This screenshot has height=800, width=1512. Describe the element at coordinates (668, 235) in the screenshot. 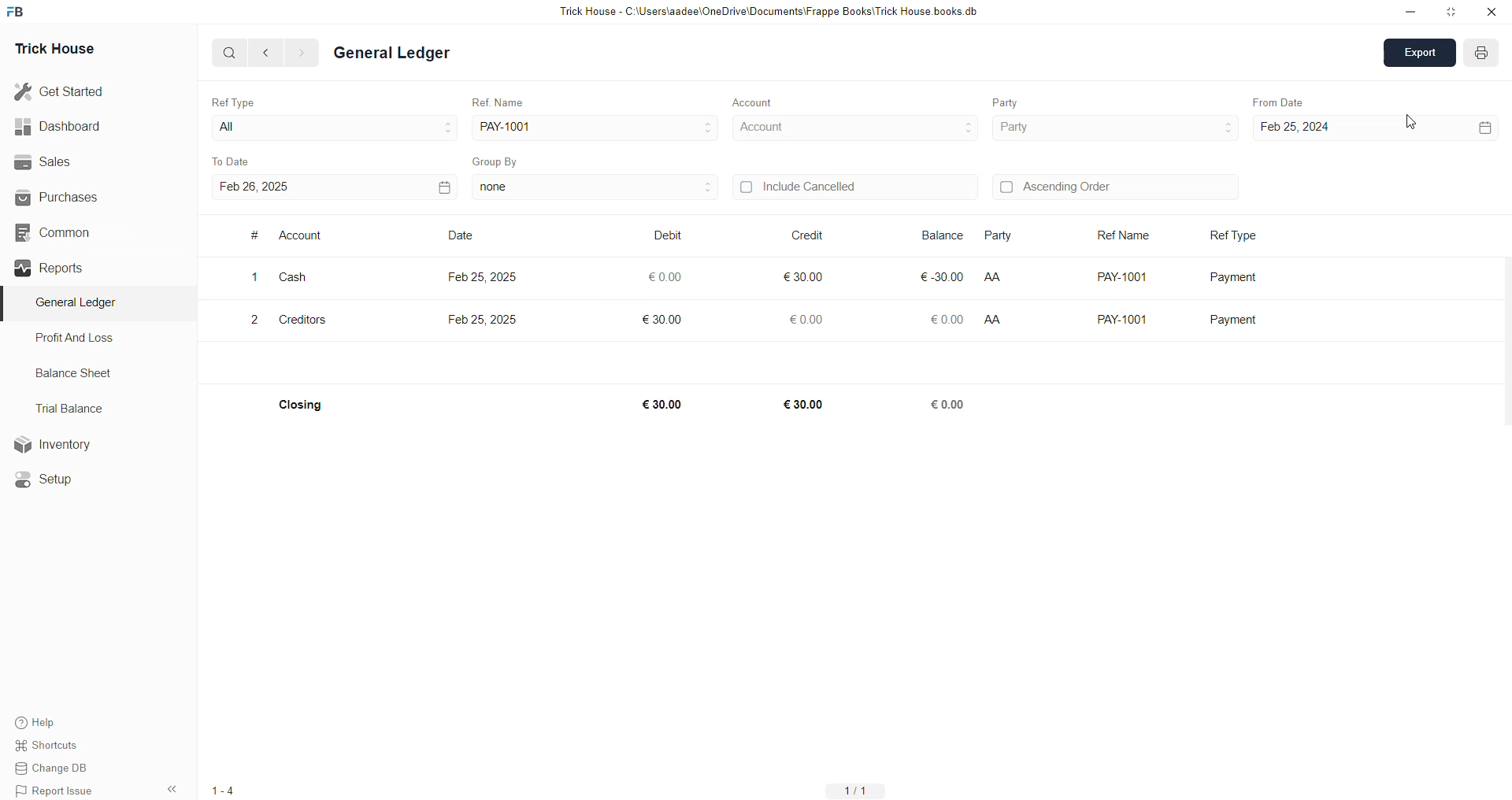

I see `Debit` at that location.